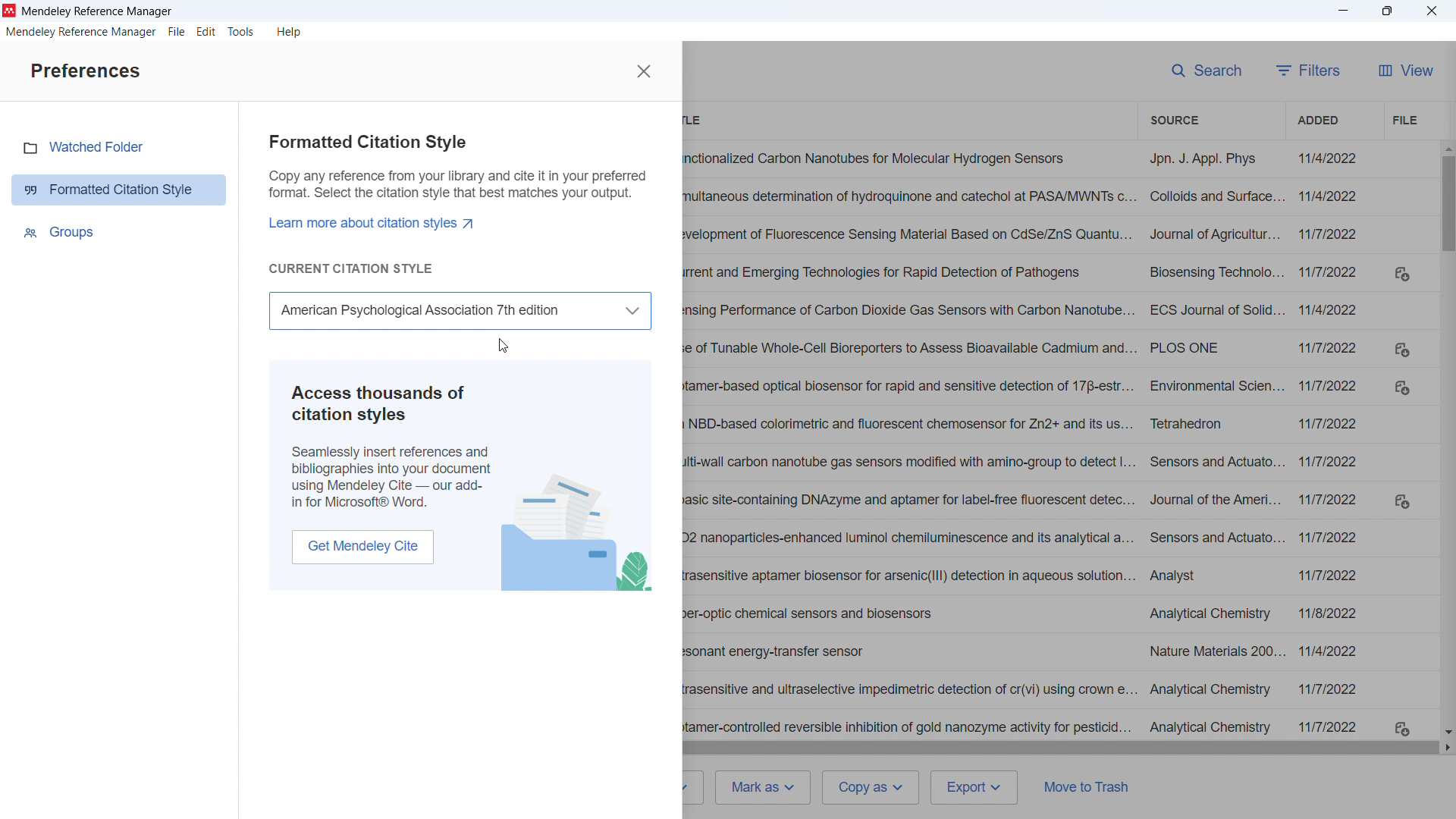 The image size is (1456, 819). What do you see at coordinates (766, 787) in the screenshot?
I see `Mark as ` at bounding box center [766, 787].